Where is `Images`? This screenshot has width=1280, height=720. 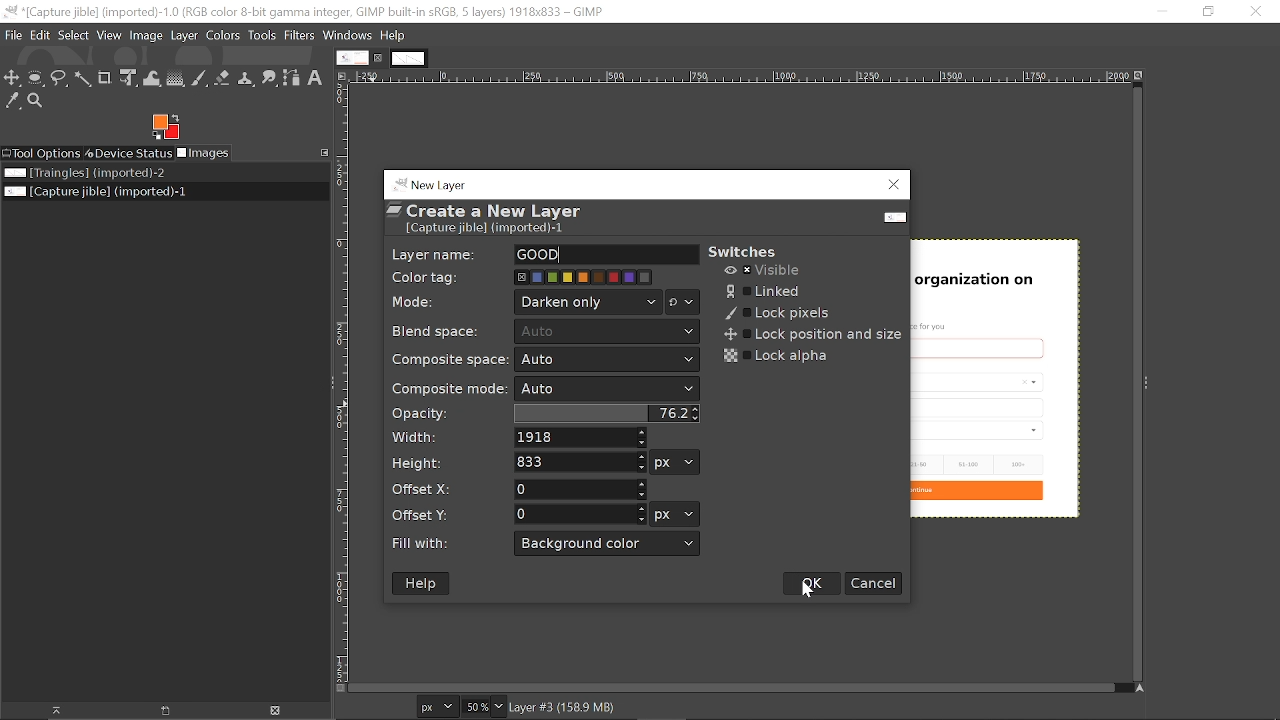
Images is located at coordinates (208, 154).